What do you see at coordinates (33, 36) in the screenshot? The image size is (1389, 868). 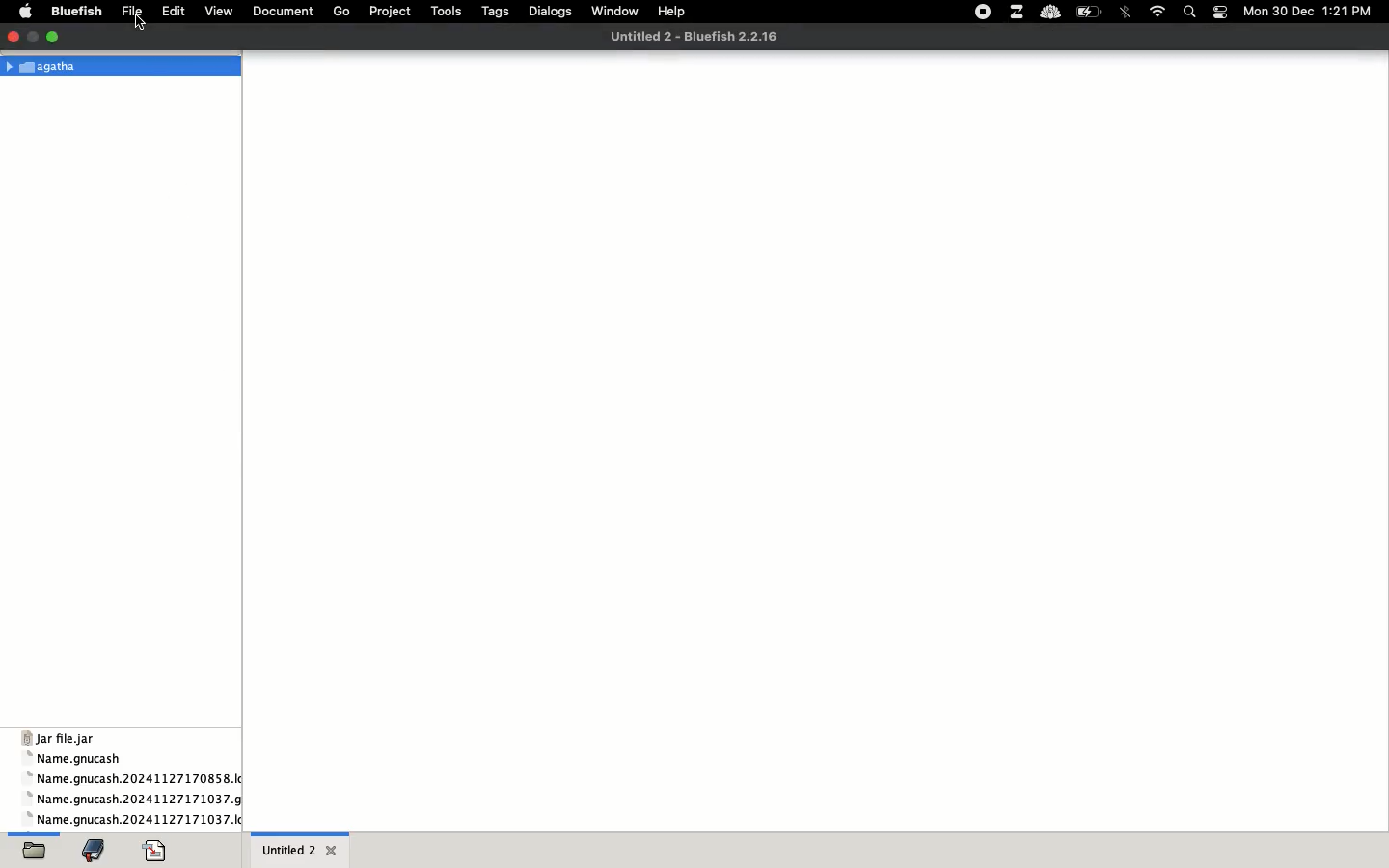 I see `maximize` at bounding box center [33, 36].